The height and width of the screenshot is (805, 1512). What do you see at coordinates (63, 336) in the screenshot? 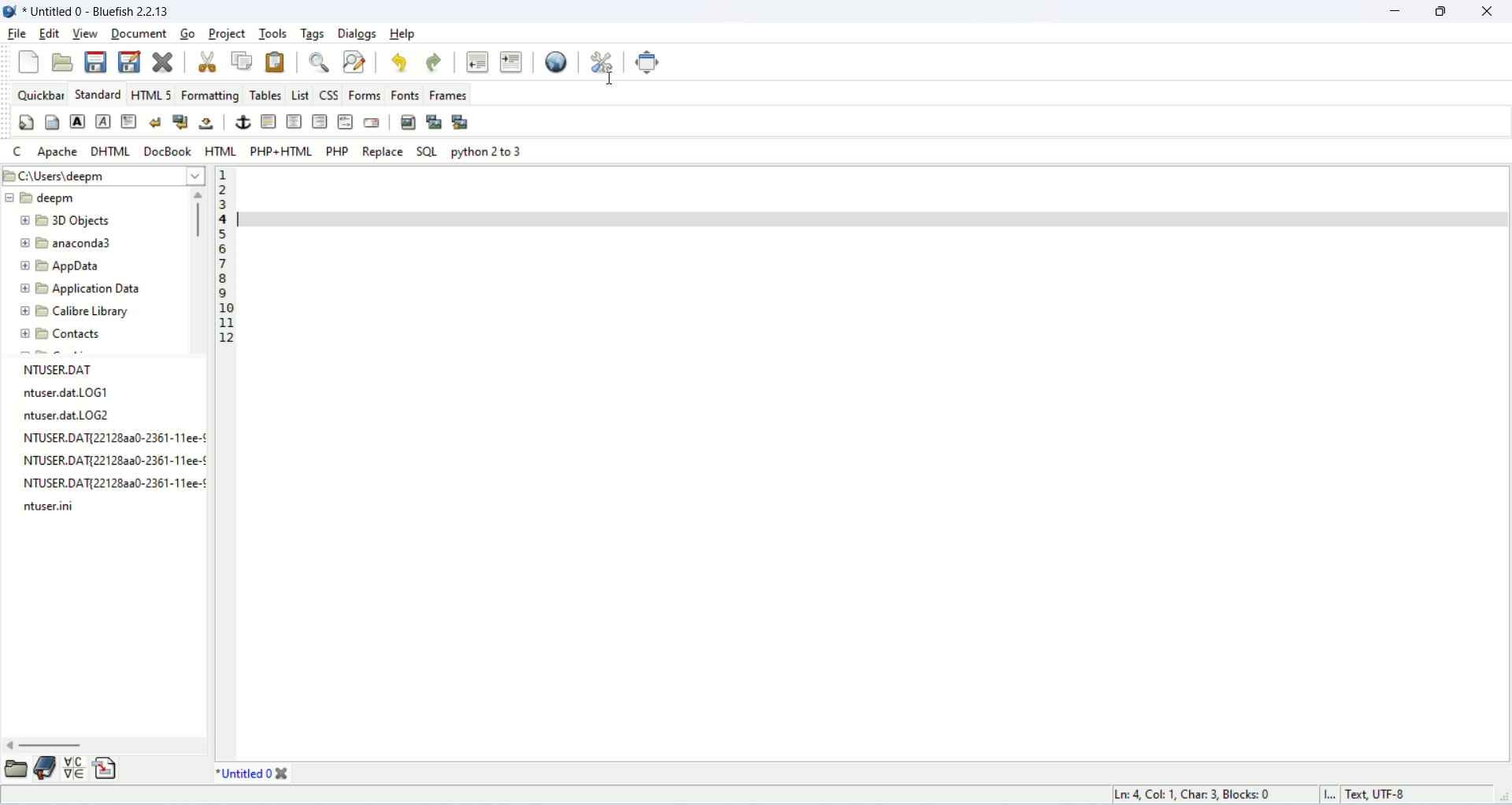
I see `contact` at bounding box center [63, 336].